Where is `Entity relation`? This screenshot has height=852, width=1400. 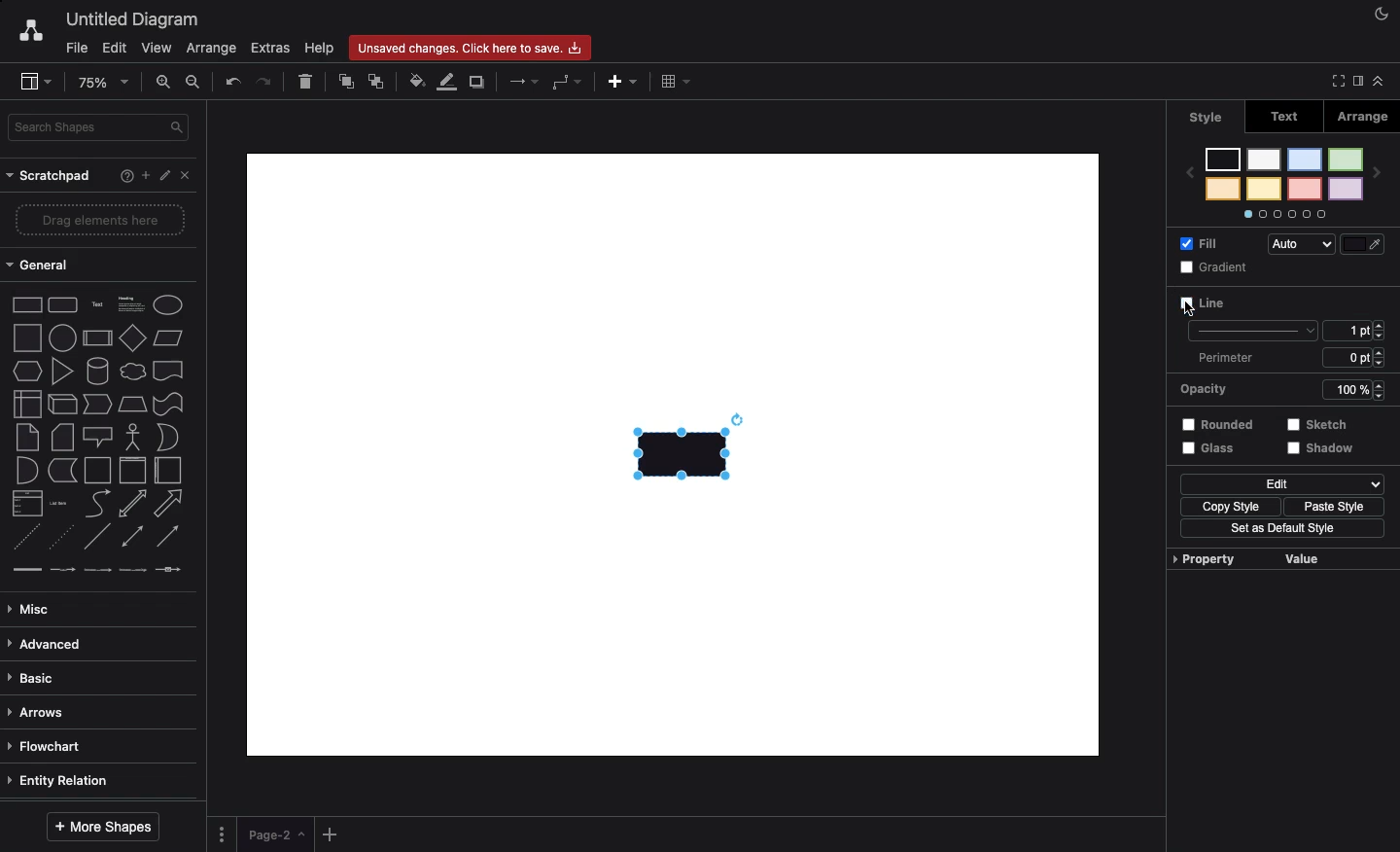 Entity relation is located at coordinates (60, 782).